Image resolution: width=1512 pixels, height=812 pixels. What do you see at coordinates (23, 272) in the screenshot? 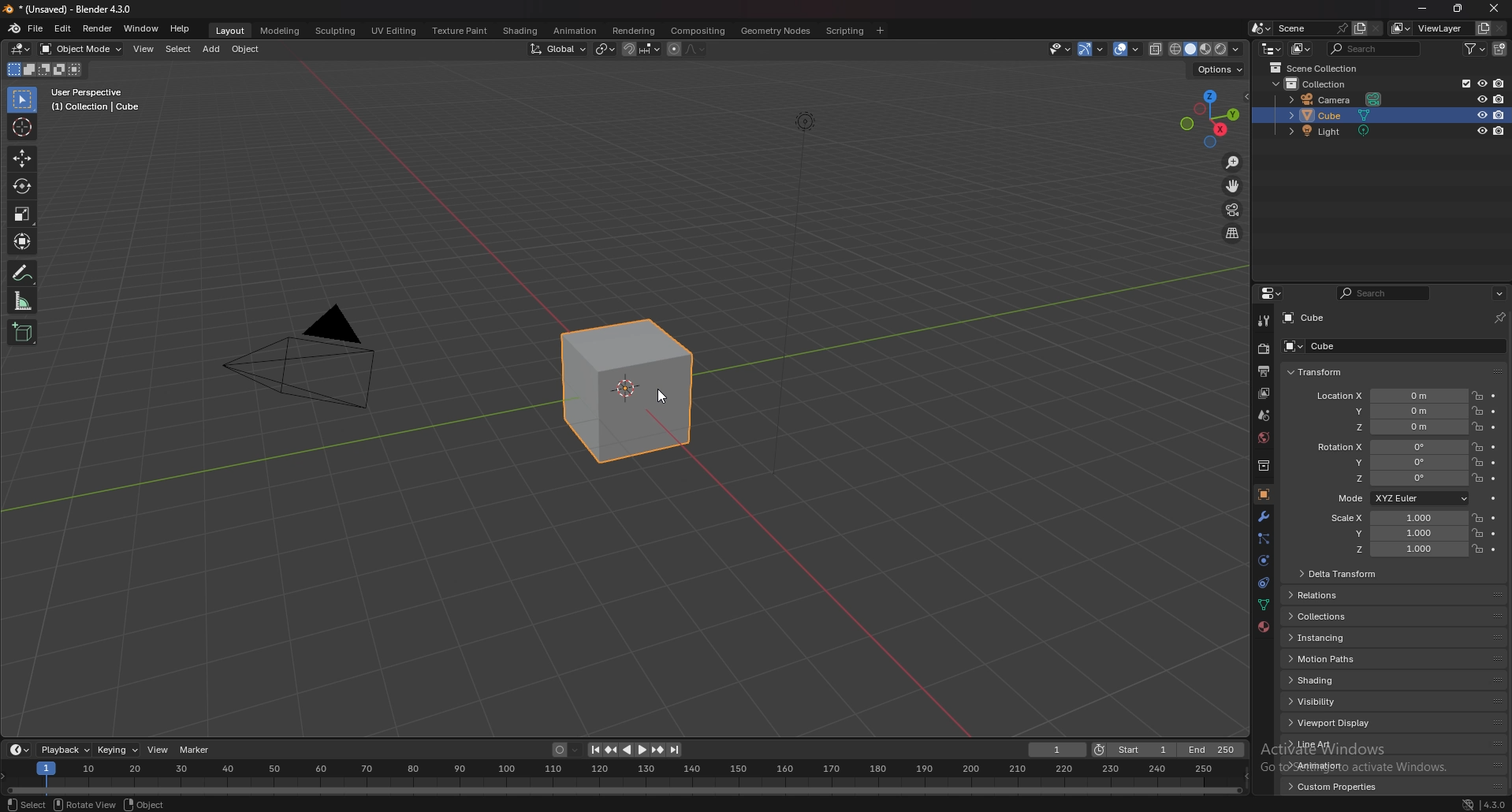
I see `annotate` at bounding box center [23, 272].